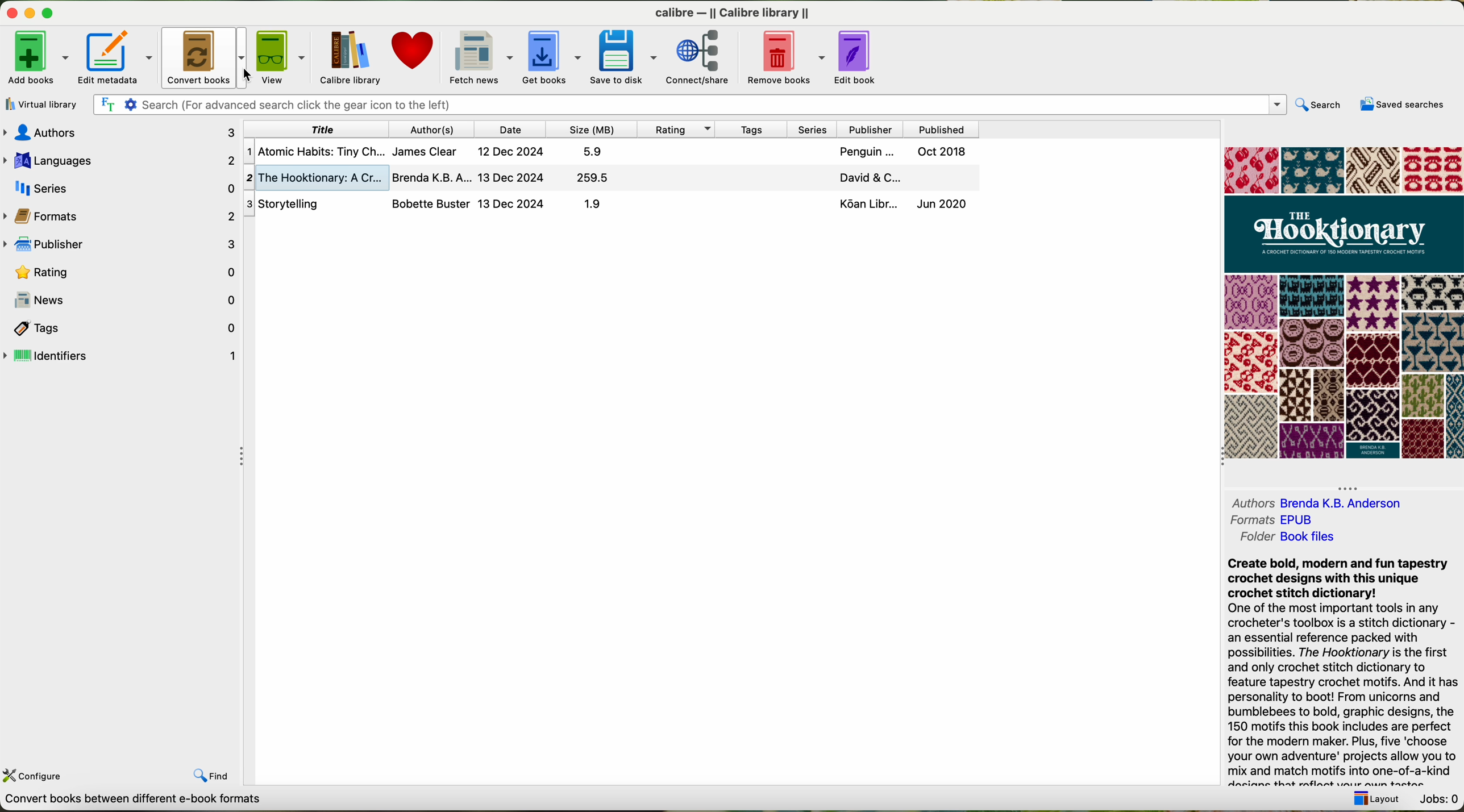  I want to click on tags, so click(755, 129).